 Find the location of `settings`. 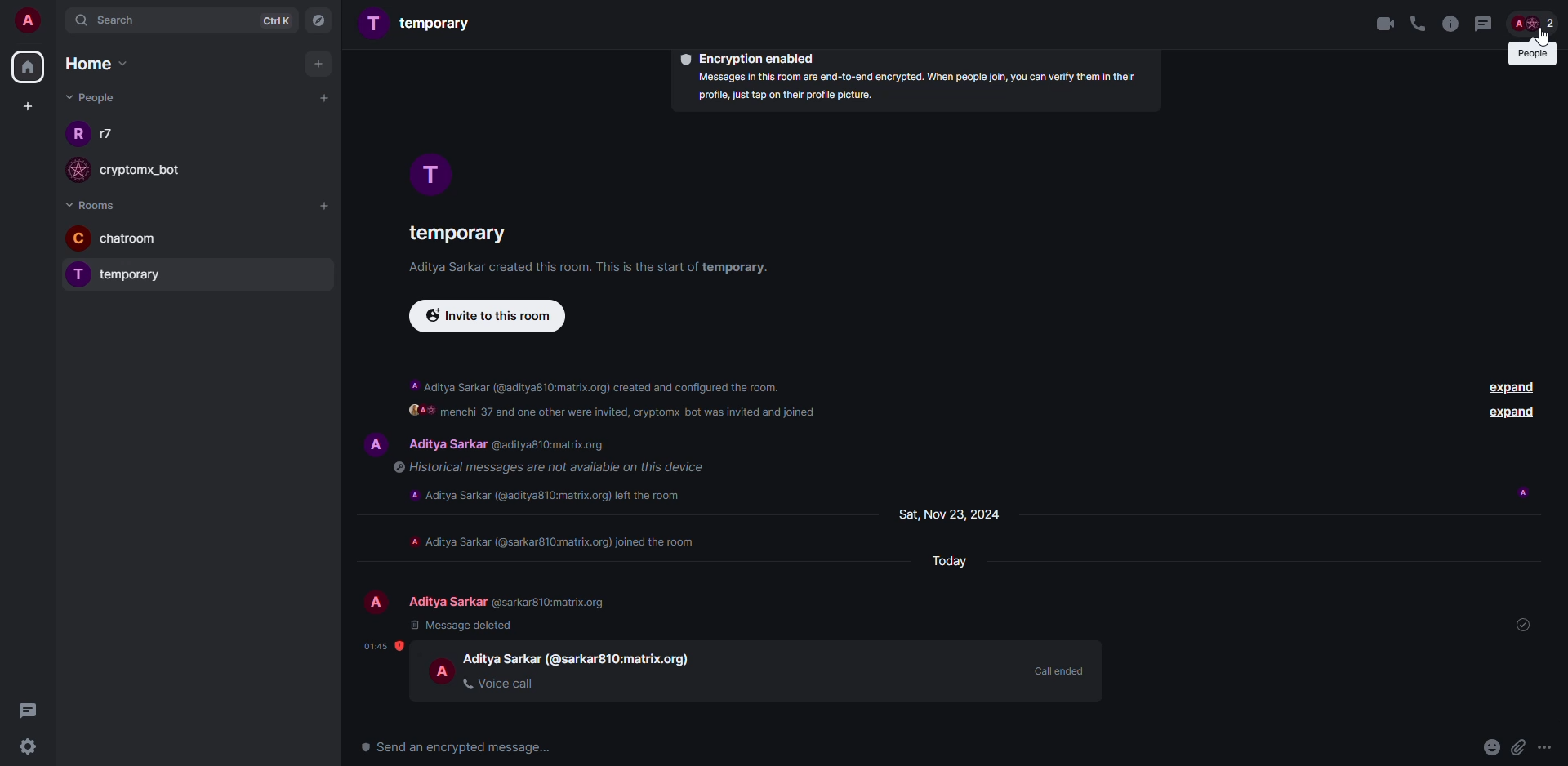

settings is located at coordinates (31, 747).